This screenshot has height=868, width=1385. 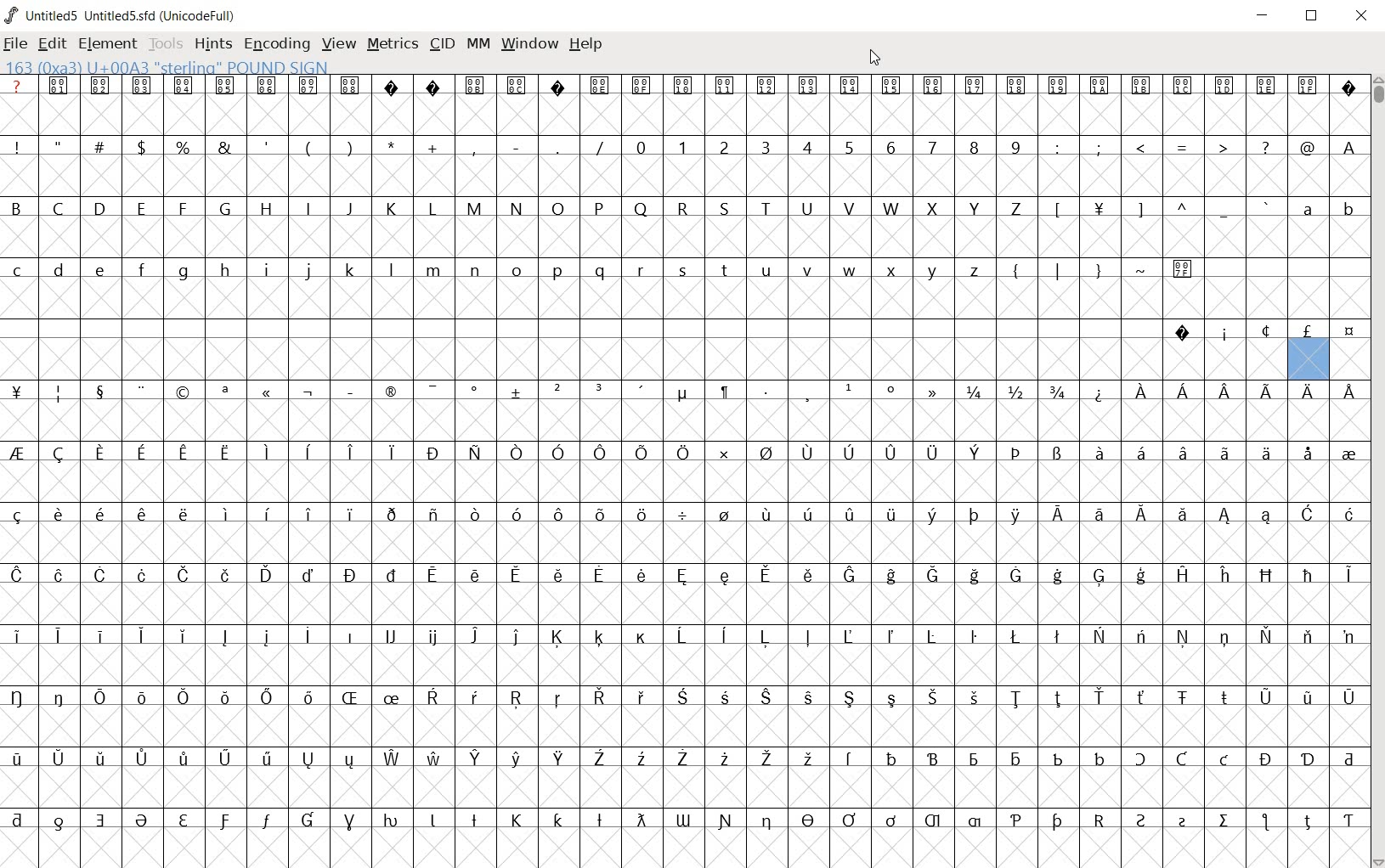 What do you see at coordinates (390, 513) in the screenshot?
I see `Symbol` at bounding box center [390, 513].